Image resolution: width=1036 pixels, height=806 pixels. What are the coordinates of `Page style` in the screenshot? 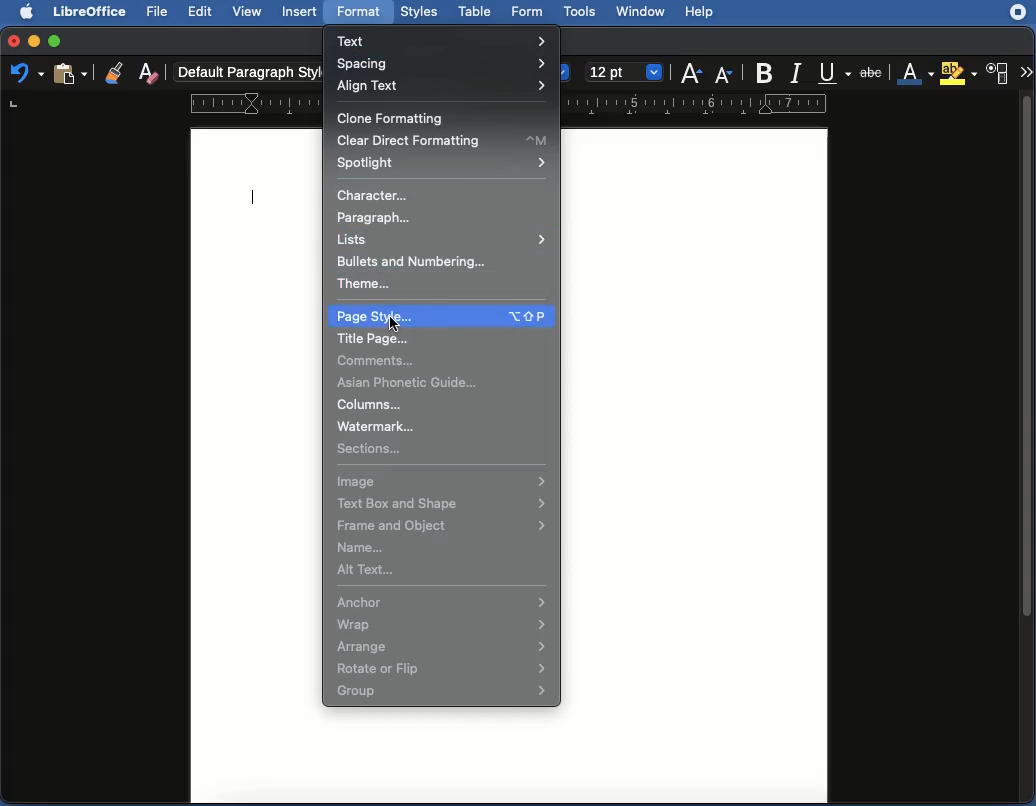 It's located at (440, 313).